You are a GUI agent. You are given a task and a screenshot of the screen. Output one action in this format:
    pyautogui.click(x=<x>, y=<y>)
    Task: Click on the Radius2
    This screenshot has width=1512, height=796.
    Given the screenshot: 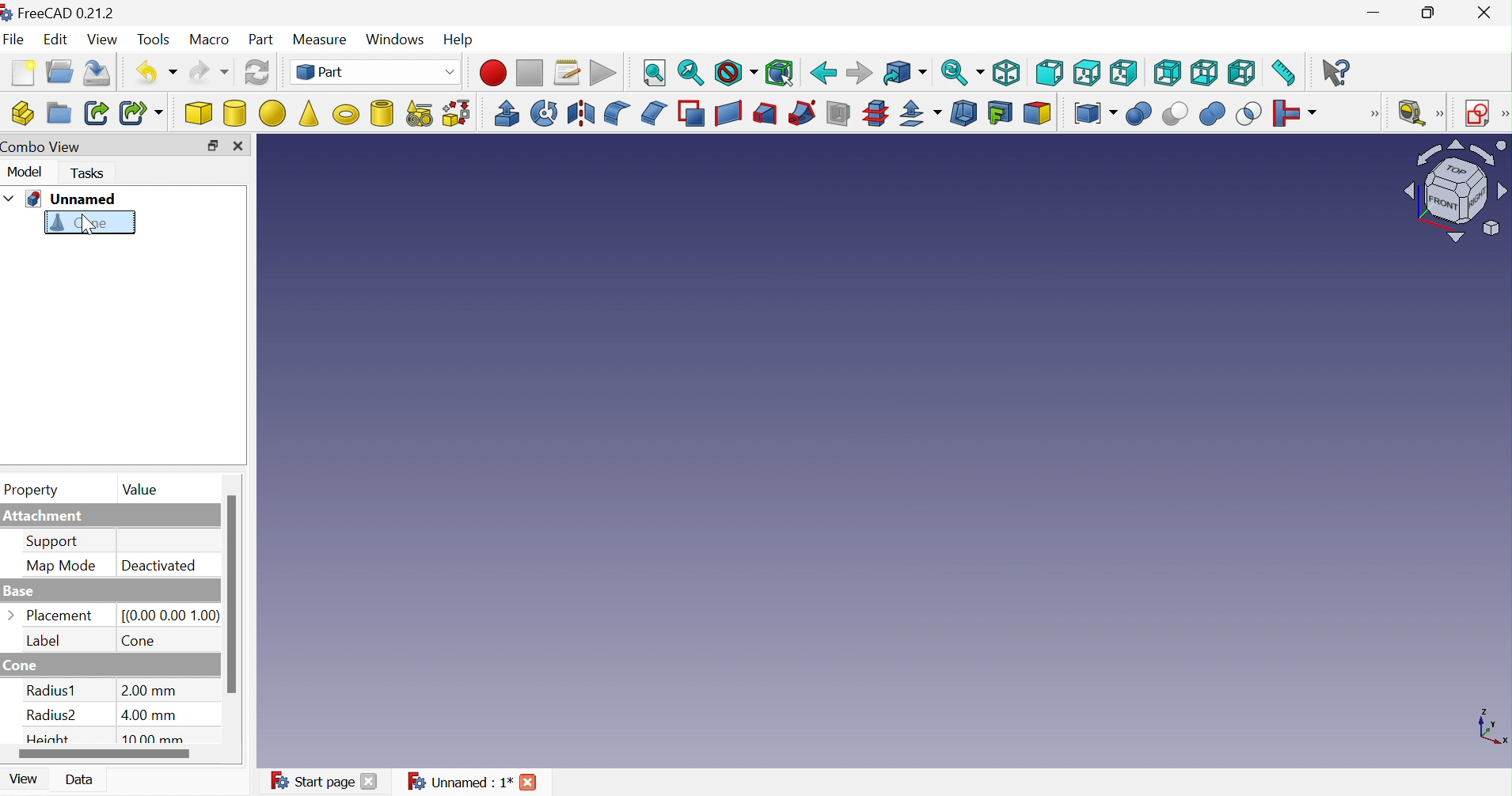 What is the action you would take?
    pyautogui.click(x=55, y=718)
    